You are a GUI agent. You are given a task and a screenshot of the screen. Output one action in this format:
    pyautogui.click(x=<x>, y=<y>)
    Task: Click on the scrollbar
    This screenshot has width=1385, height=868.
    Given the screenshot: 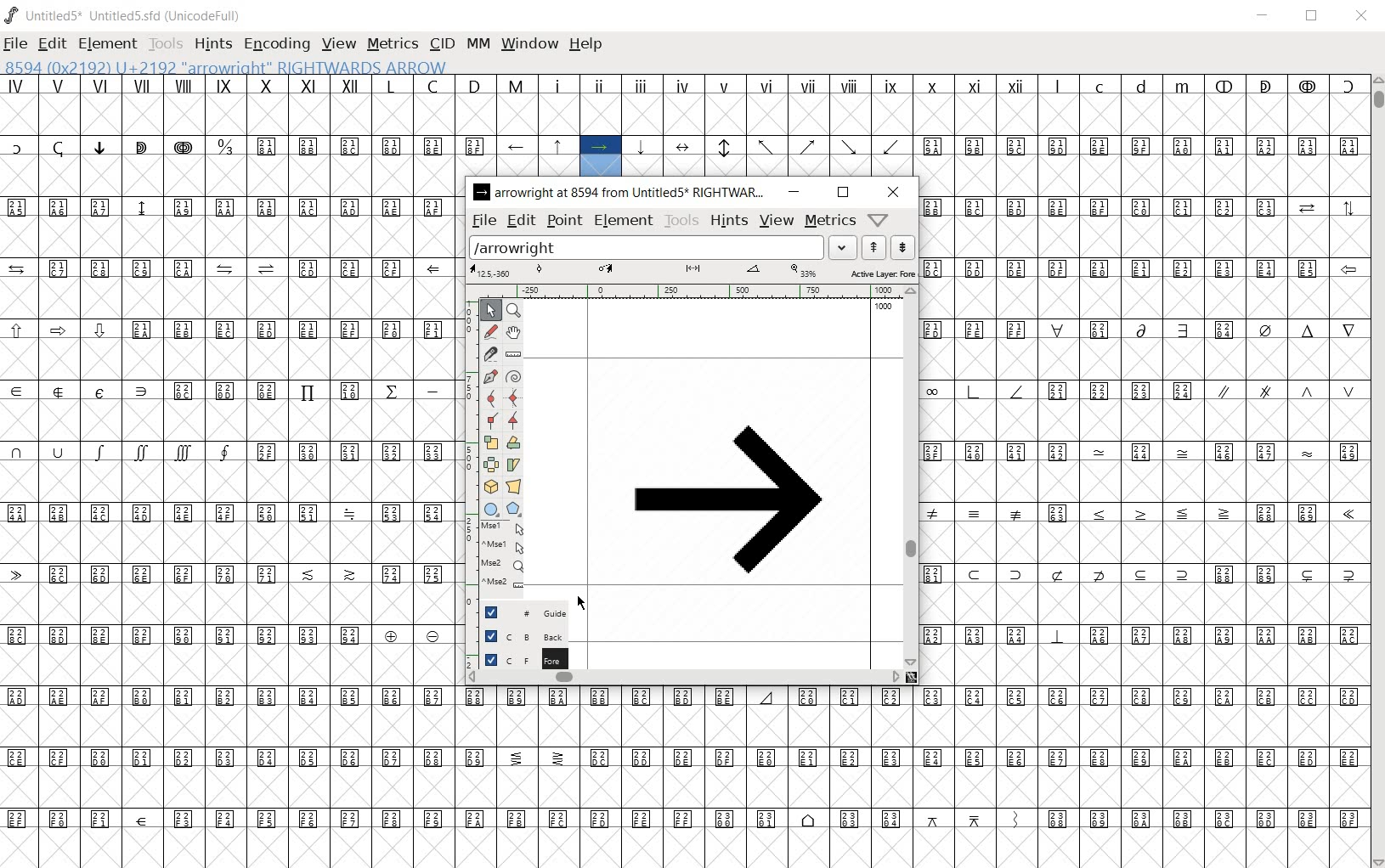 What is the action you would take?
    pyautogui.click(x=911, y=476)
    